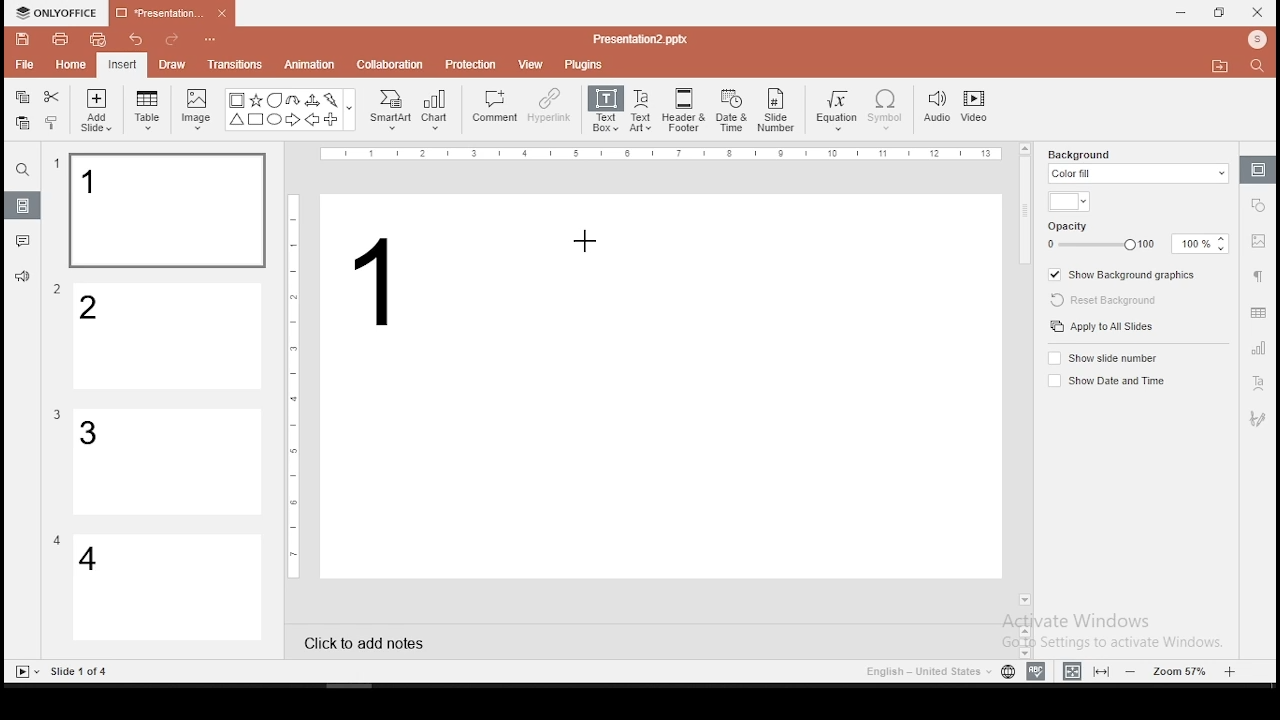  I want to click on find, so click(22, 170).